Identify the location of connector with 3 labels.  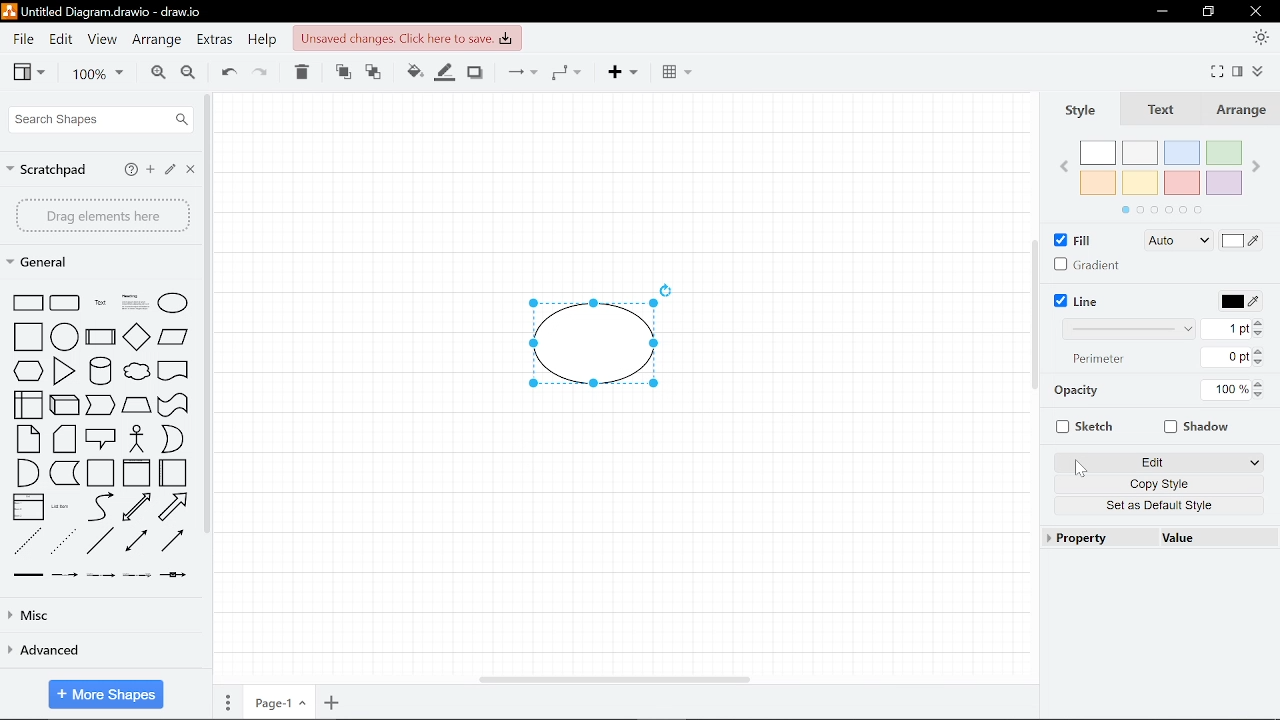
(135, 575).